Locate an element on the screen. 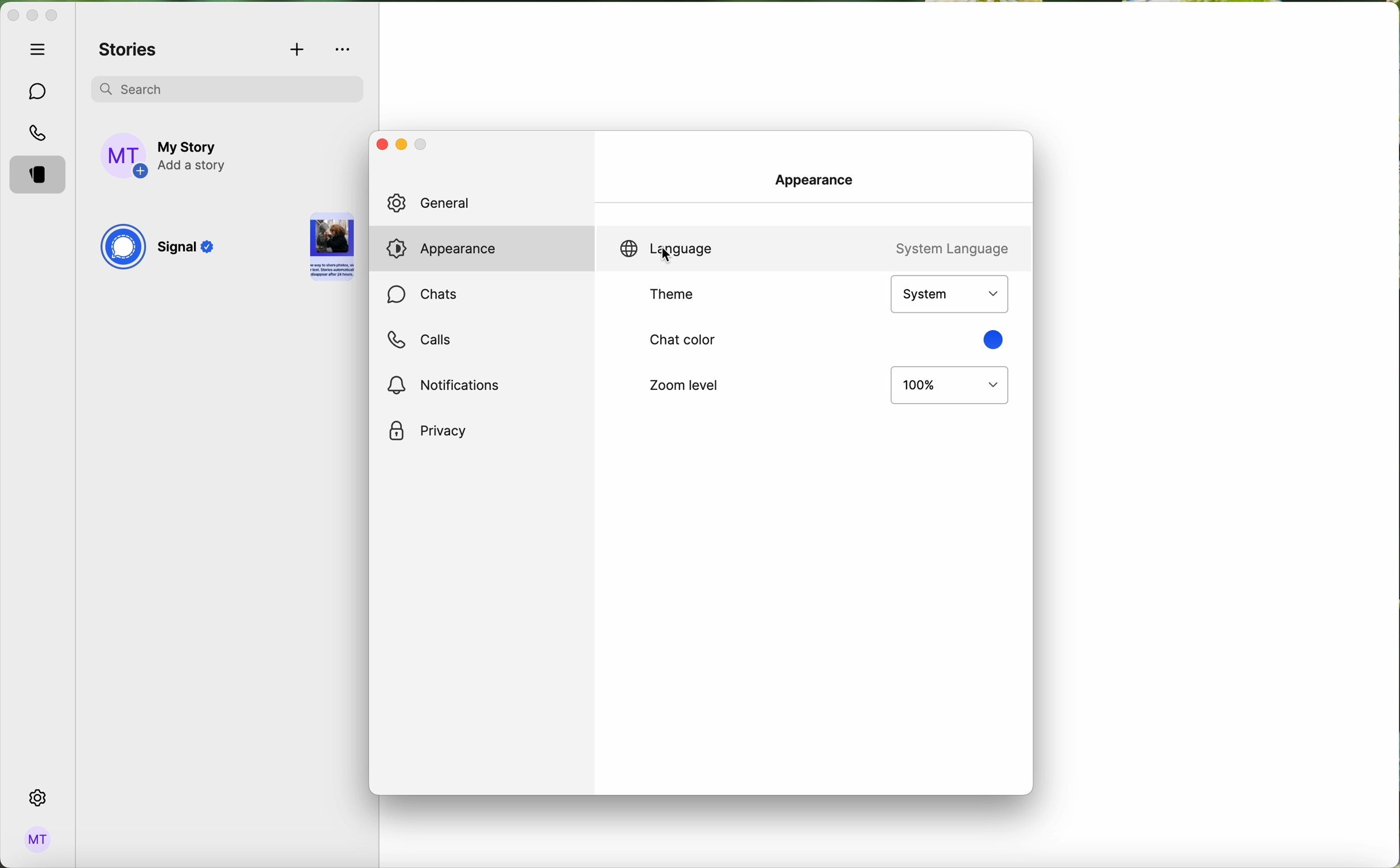  add story is located at coordinates (194, 157).